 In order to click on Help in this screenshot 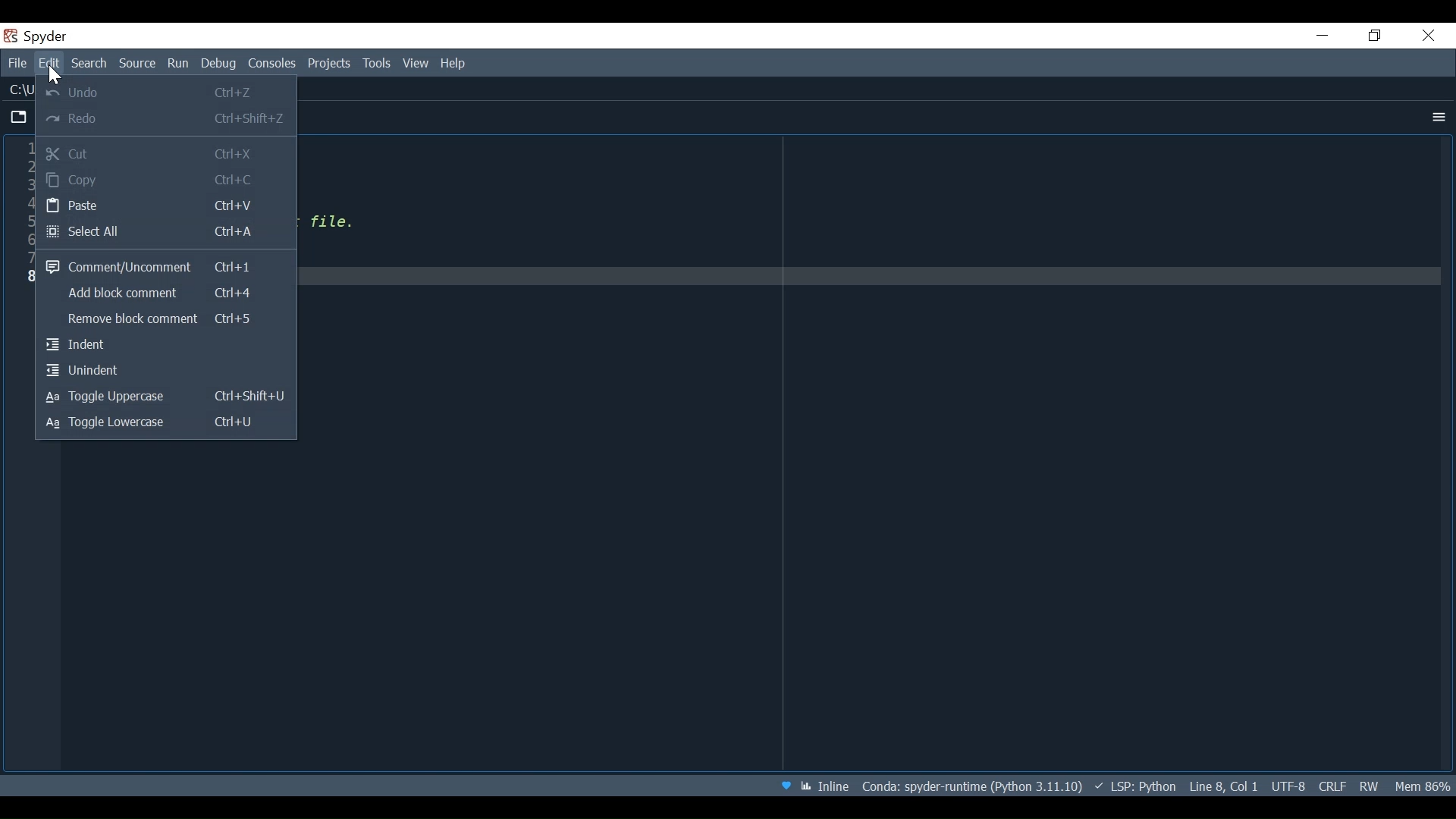, I will do `click(453, 65)`.